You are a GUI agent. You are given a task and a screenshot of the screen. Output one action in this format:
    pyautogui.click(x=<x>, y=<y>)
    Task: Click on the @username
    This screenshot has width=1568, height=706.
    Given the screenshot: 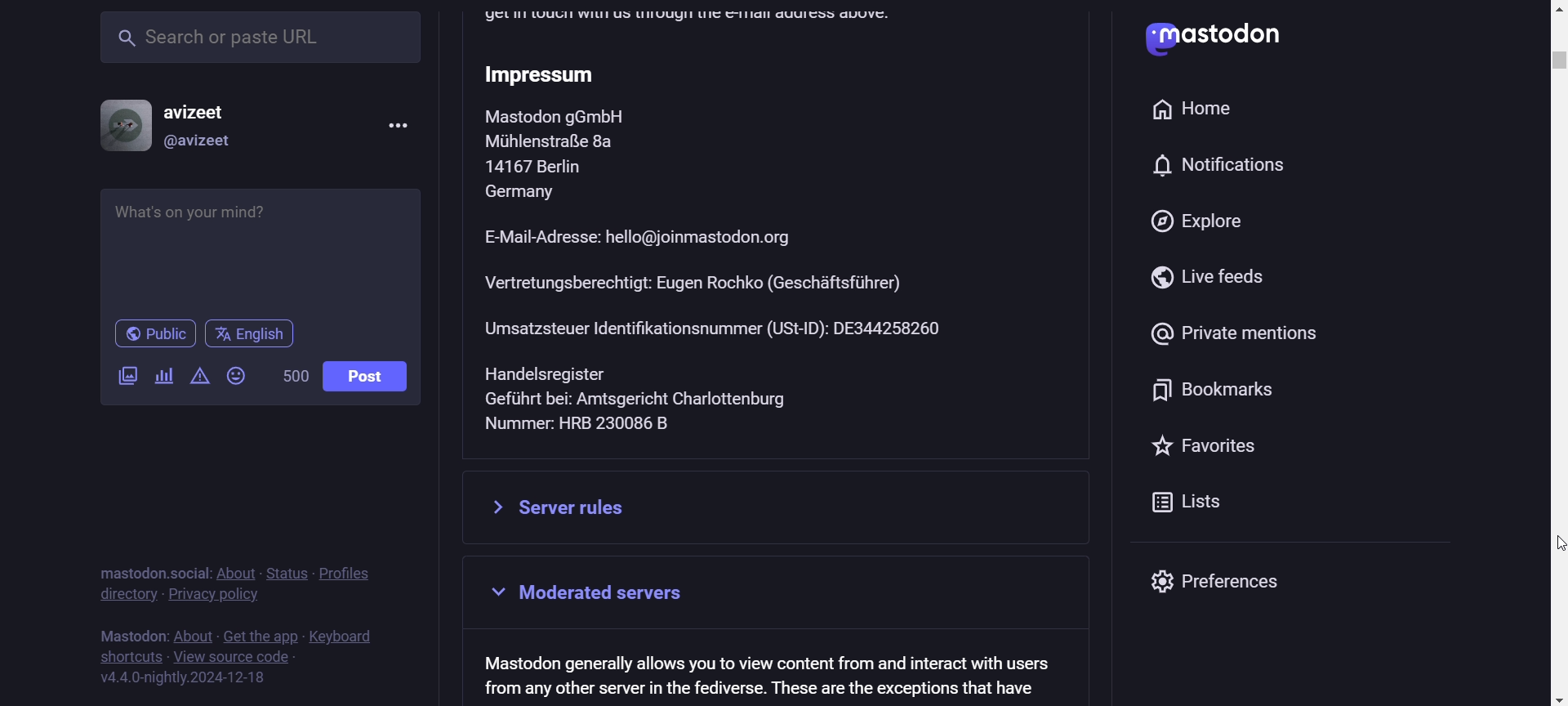 What is the action you would take?
    pyautogui.click(x=199, y=145)
    